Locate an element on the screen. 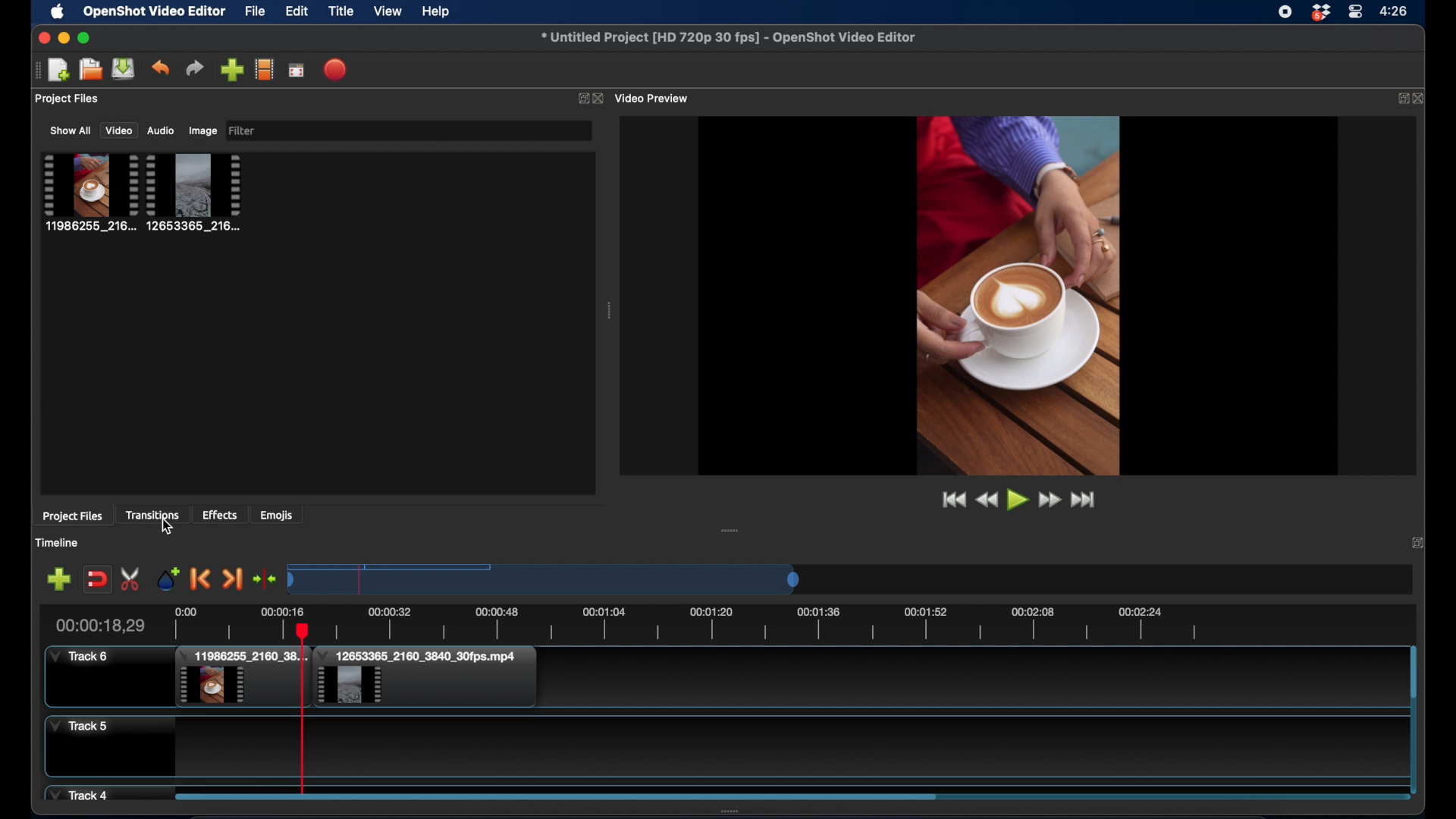 This screenshot has height=819, width=1456. rewind is located at coordinates (986, 500).